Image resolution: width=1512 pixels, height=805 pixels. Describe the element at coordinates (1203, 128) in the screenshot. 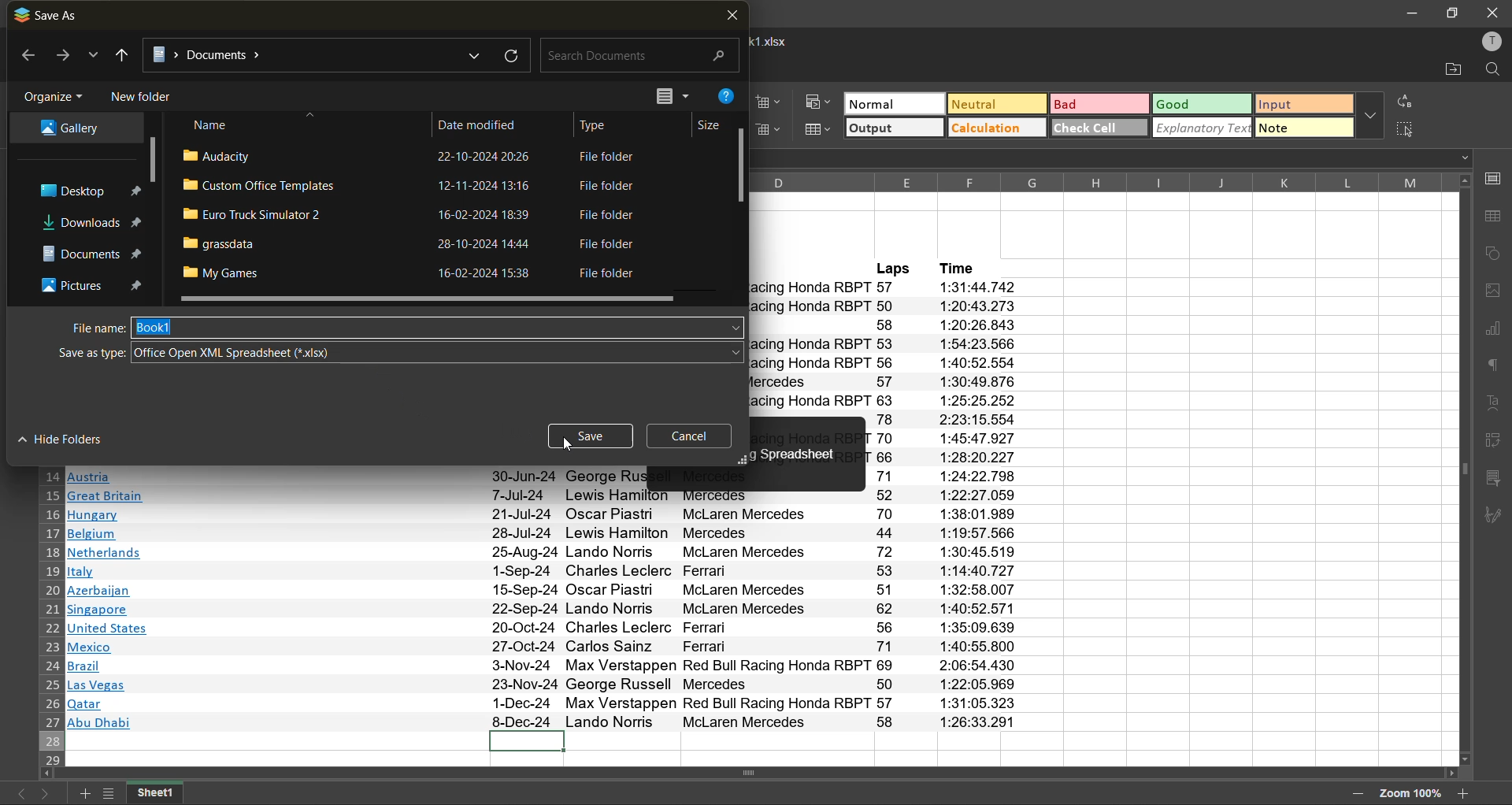

I see `explanatory text` at that location.